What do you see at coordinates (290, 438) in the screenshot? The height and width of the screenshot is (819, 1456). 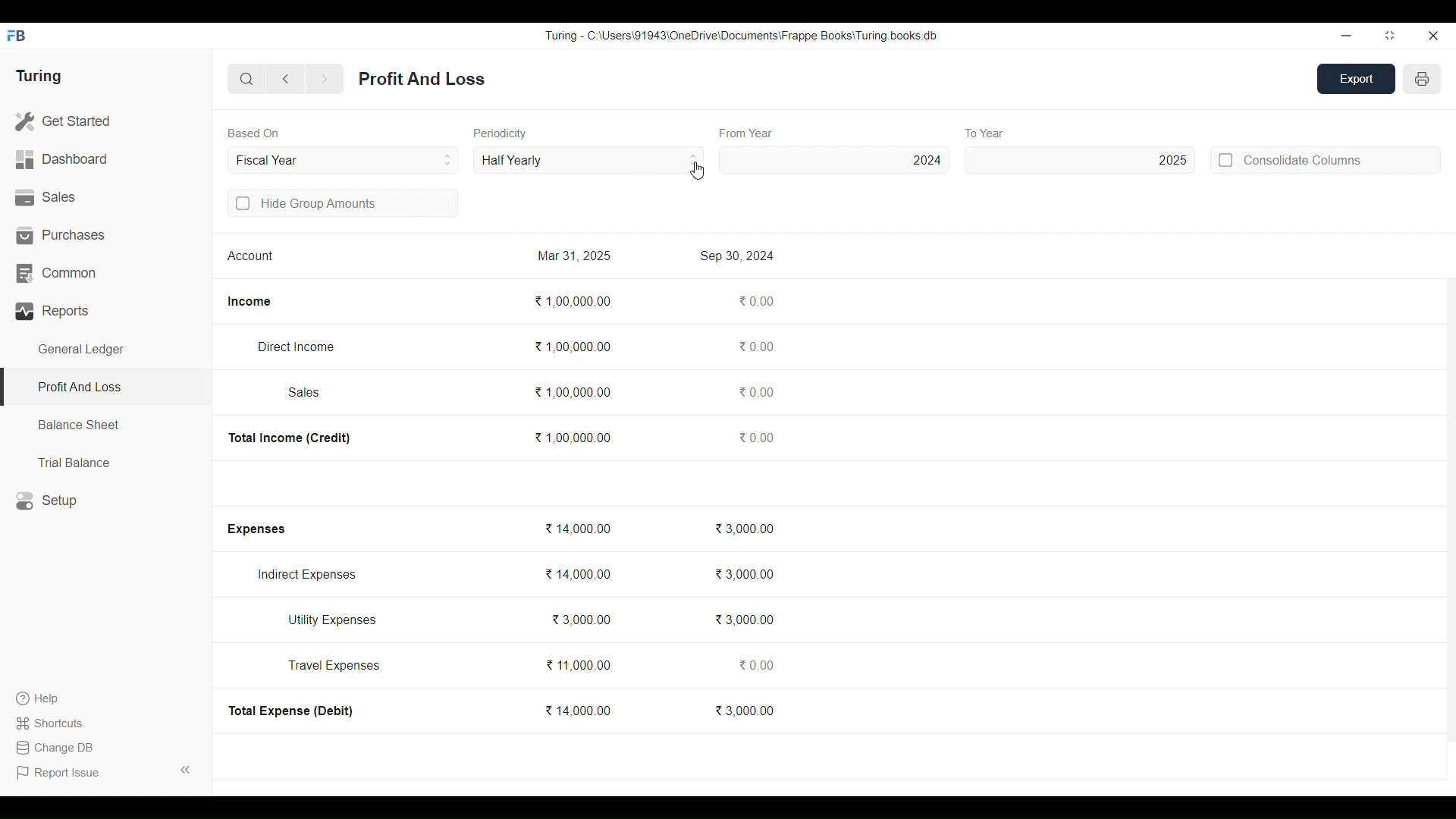 I see `Total Income (Credit)` at bounding box center [290, 438].